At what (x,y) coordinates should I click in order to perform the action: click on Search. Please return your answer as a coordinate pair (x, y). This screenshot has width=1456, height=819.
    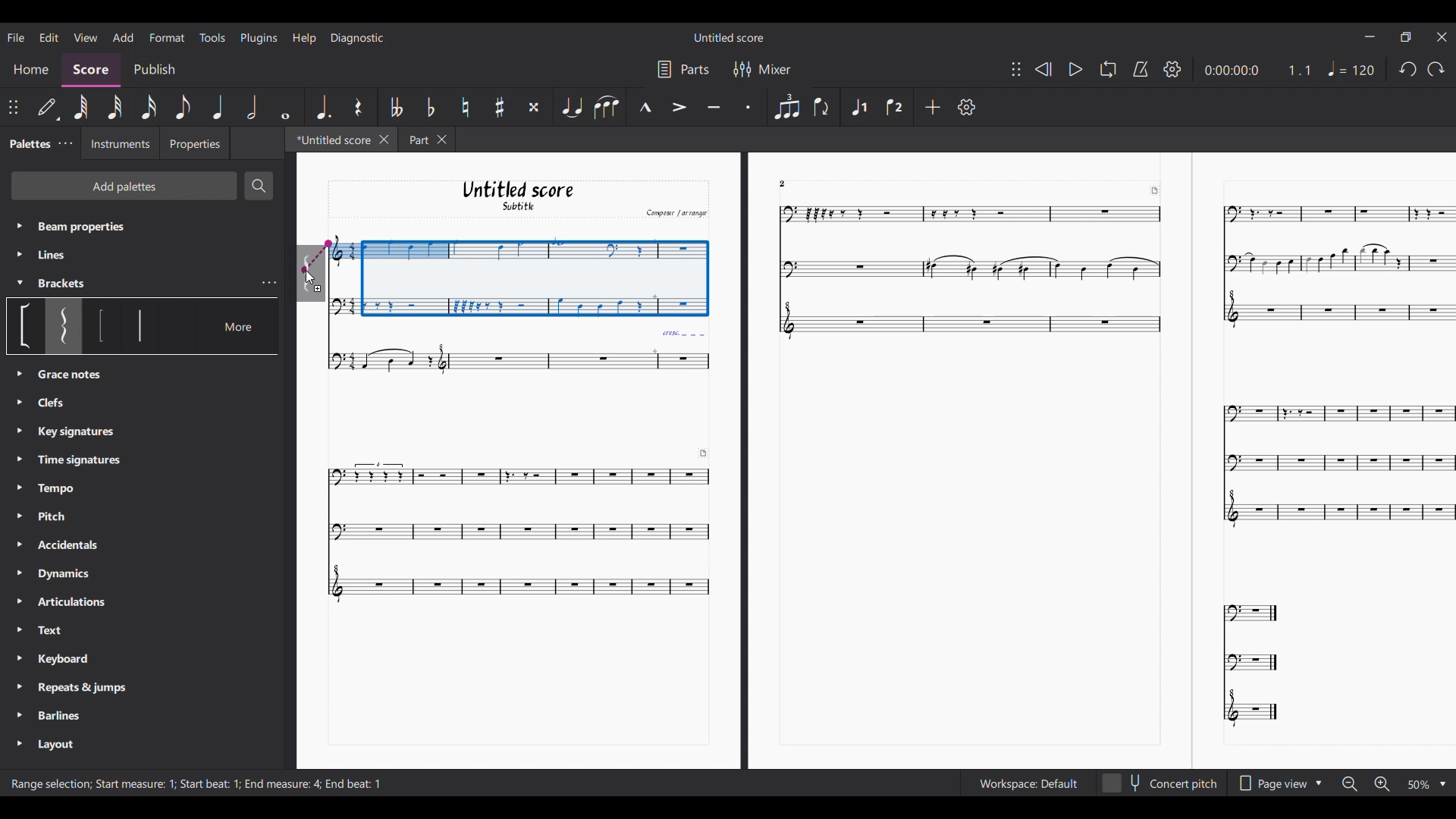
    Looking at the image, I should click on (259, 186).